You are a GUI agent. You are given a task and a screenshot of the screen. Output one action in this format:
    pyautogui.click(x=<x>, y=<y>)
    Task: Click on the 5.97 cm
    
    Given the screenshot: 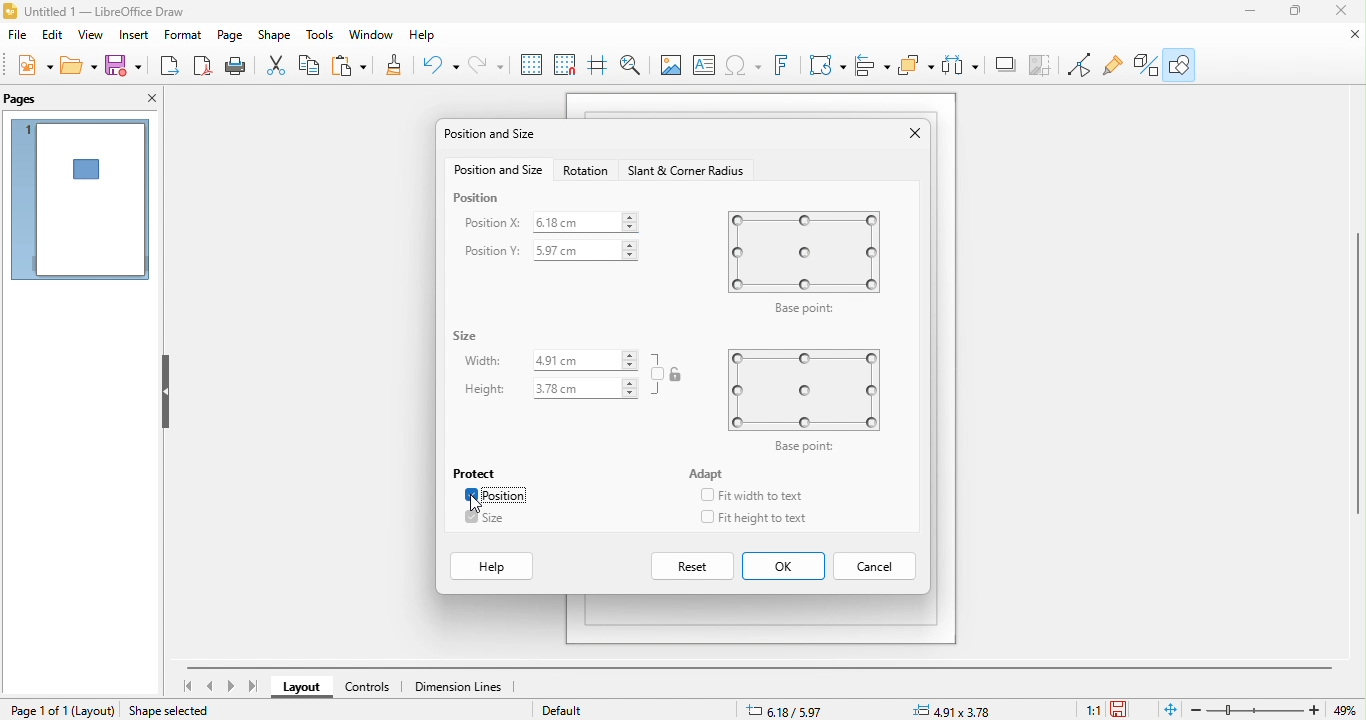 What is the action you would take?
    pyautogui.click(x=585, y=250)
    